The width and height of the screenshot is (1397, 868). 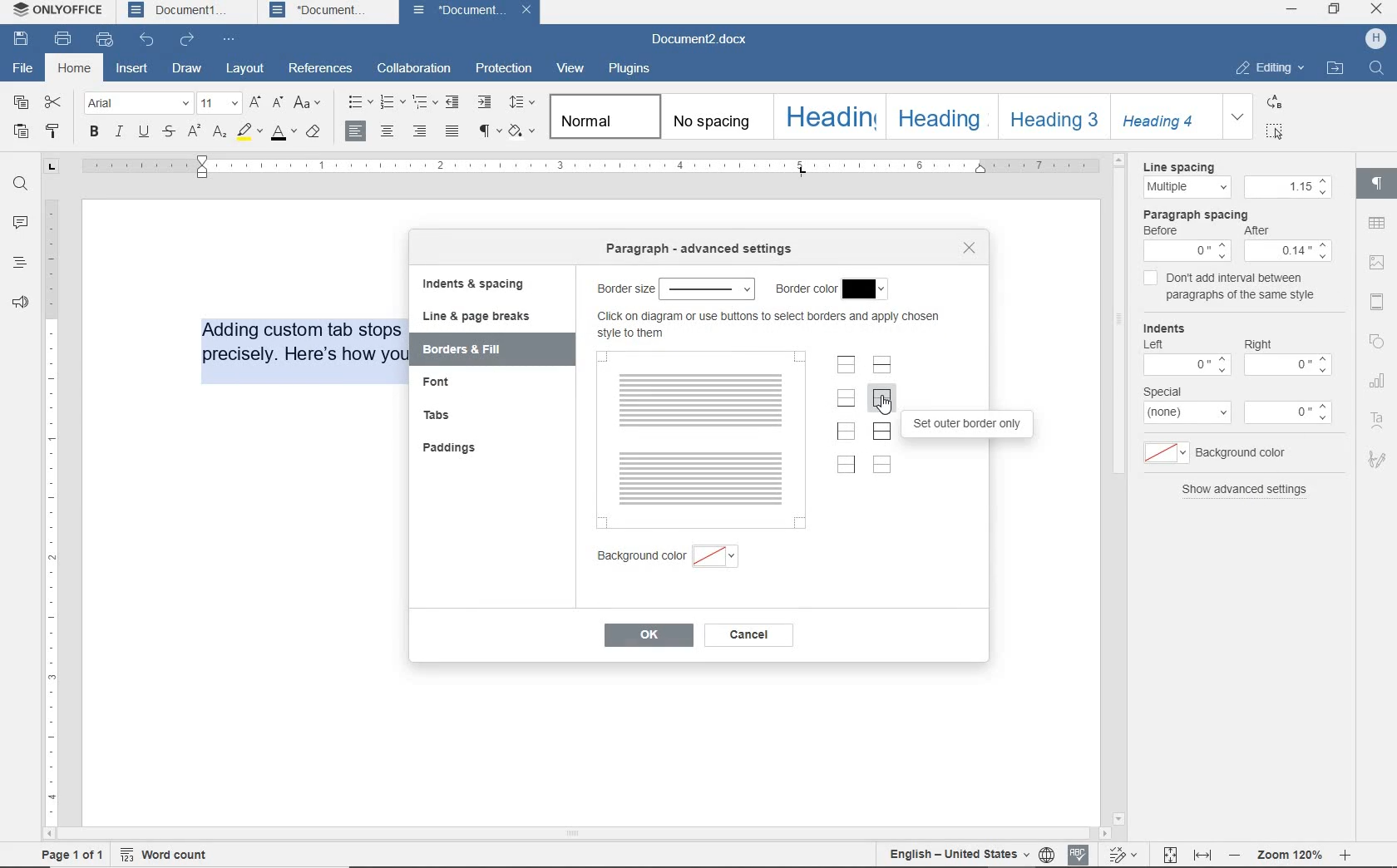 I want to click on menu, so click(x=1184, y=367).